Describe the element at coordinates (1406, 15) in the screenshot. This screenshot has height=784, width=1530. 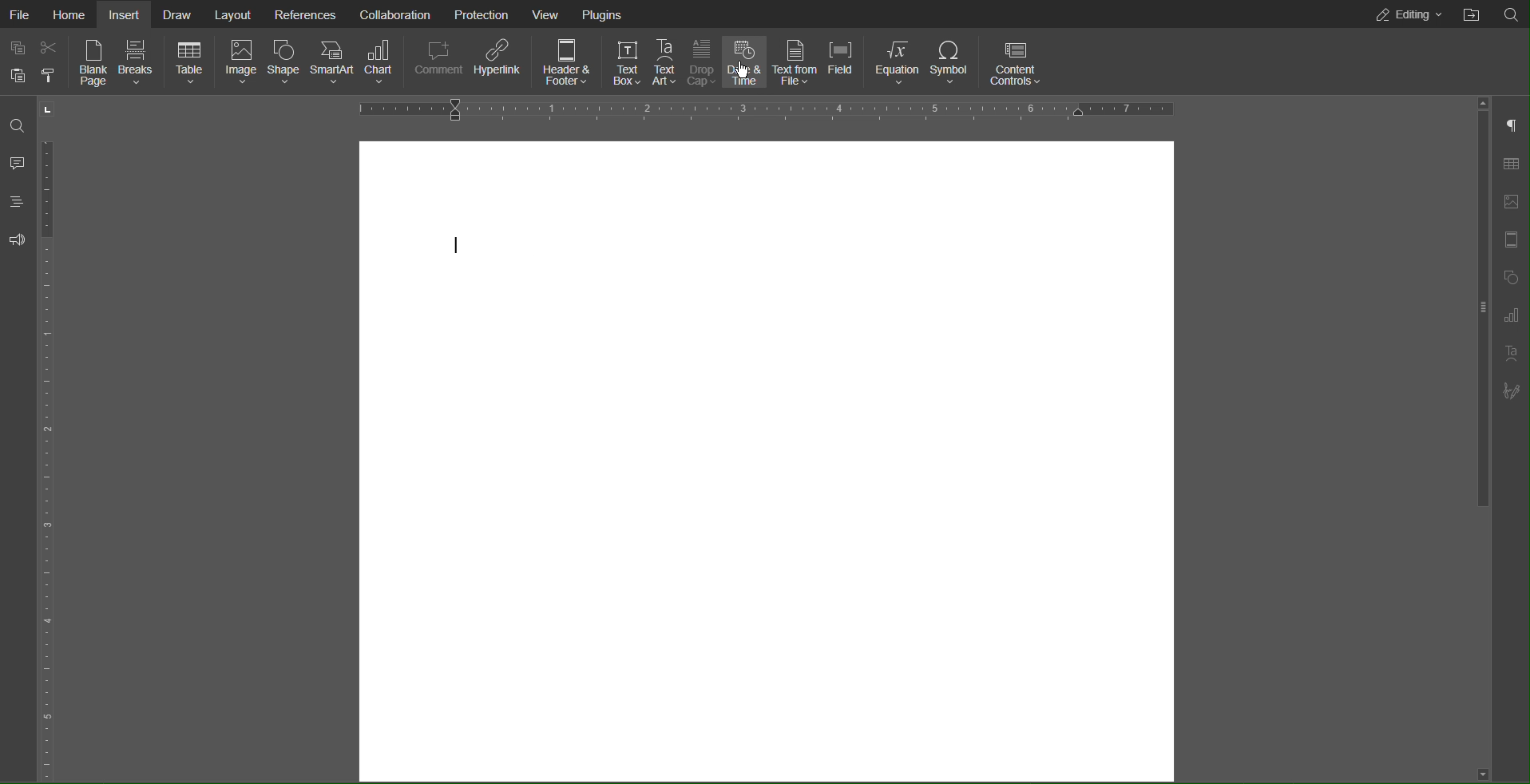
I see `Editing ` at that location.